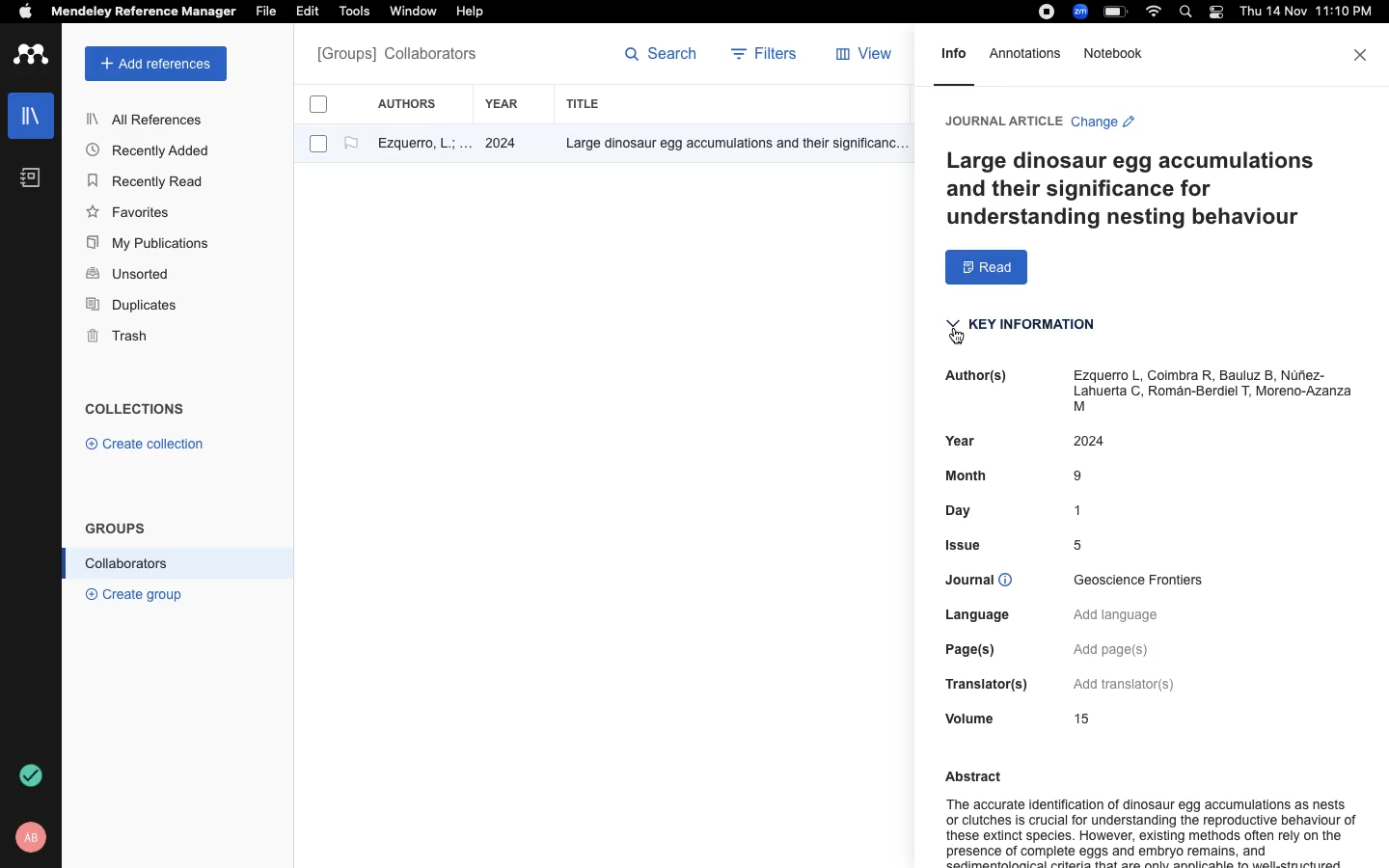 The image size is (1389, 868). Describe the element at coordinates (1083, 12) in the screenshot. I see `zoom` at that location.